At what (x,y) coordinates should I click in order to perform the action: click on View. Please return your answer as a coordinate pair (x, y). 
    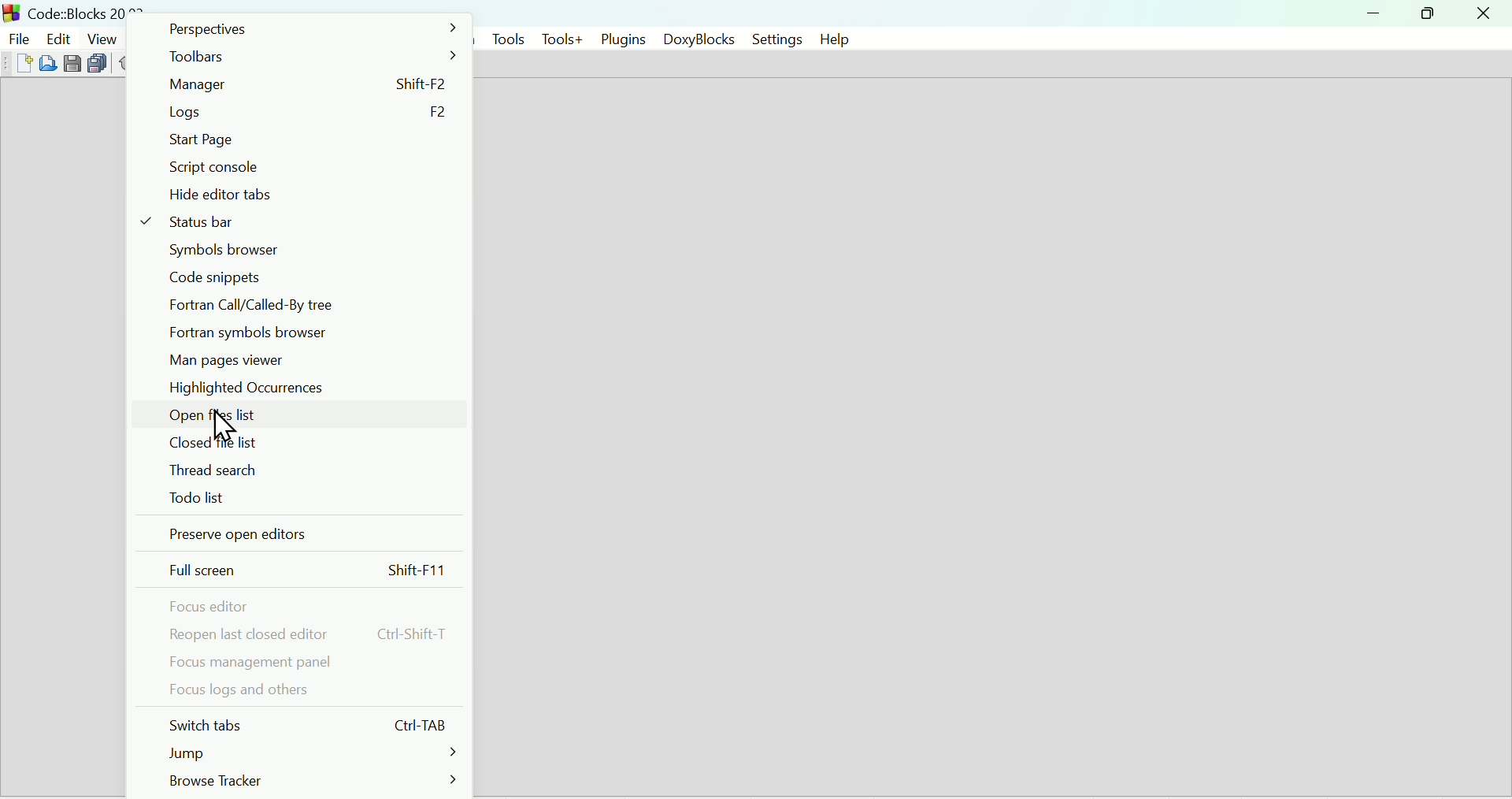
    Looking at the image, I should click on (103, 38).